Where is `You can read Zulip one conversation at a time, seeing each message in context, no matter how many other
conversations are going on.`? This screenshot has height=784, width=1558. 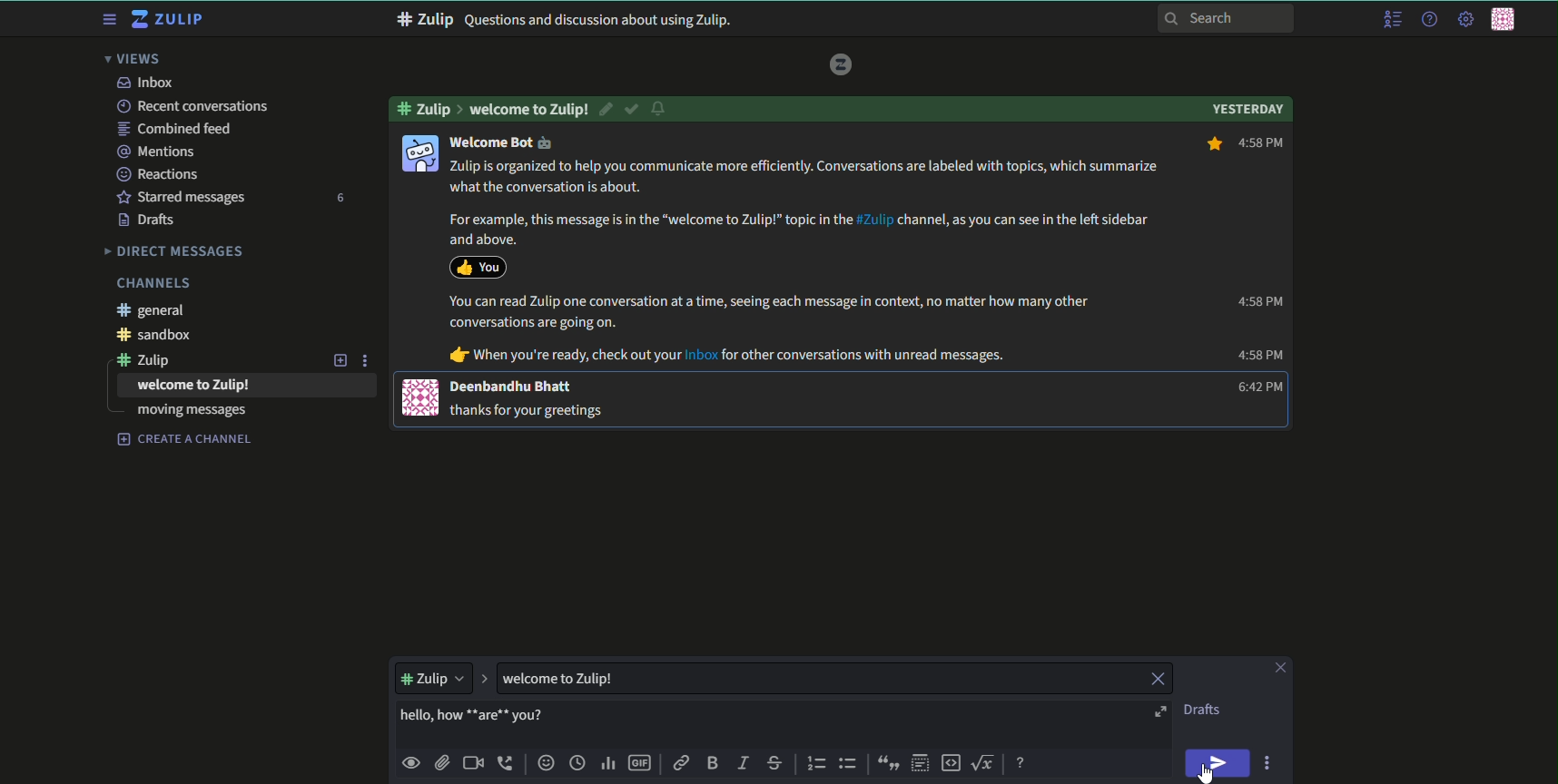 You can read Zulip one conversation at a time, seeing each message in context, no matter how many other
conversations are going on. is located at coordinates (782, 312).